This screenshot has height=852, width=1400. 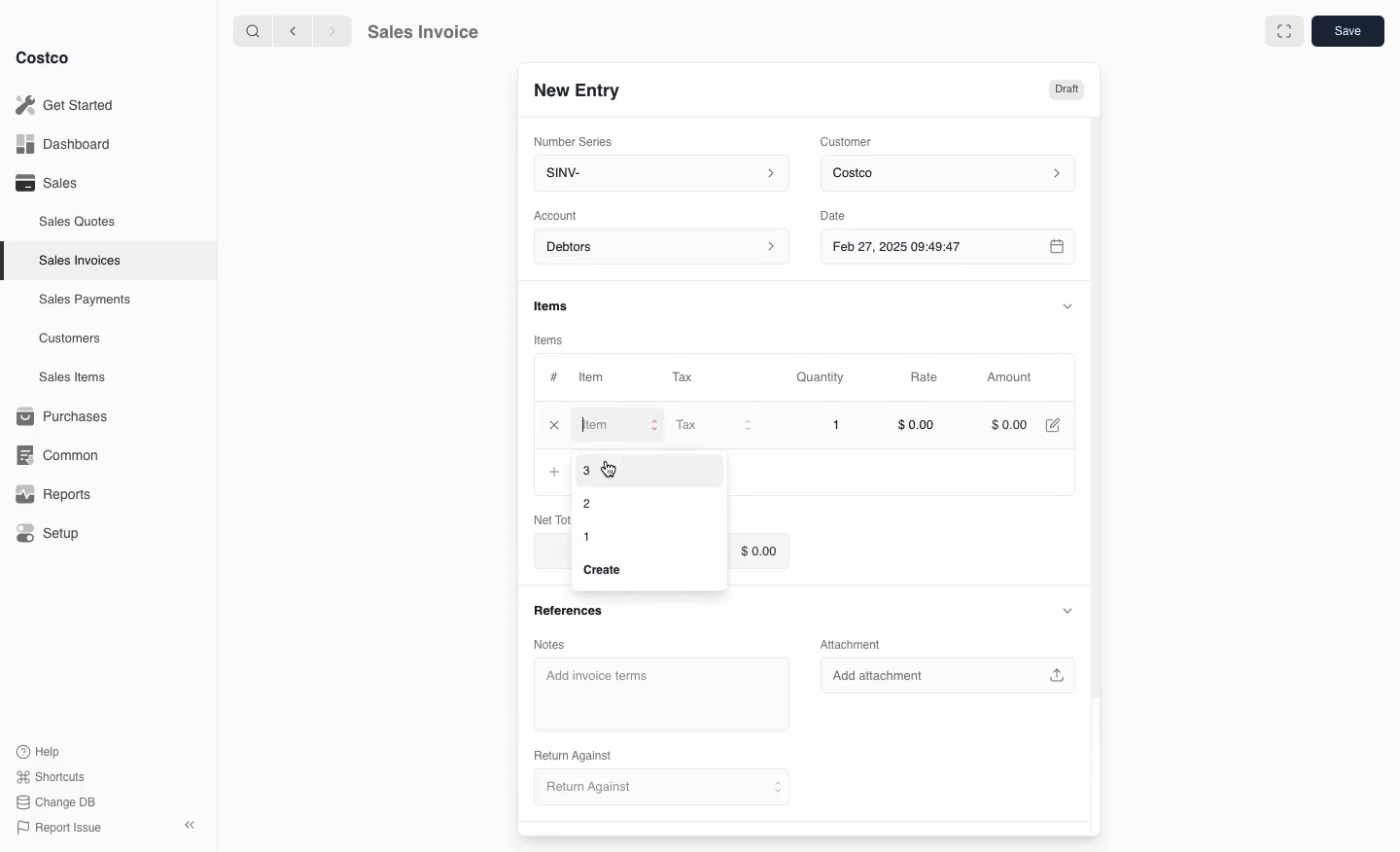 What do you see at coordinates (571, 757) in the screenshot?
I see `‘Return Against` at bounding box center [571, 757].